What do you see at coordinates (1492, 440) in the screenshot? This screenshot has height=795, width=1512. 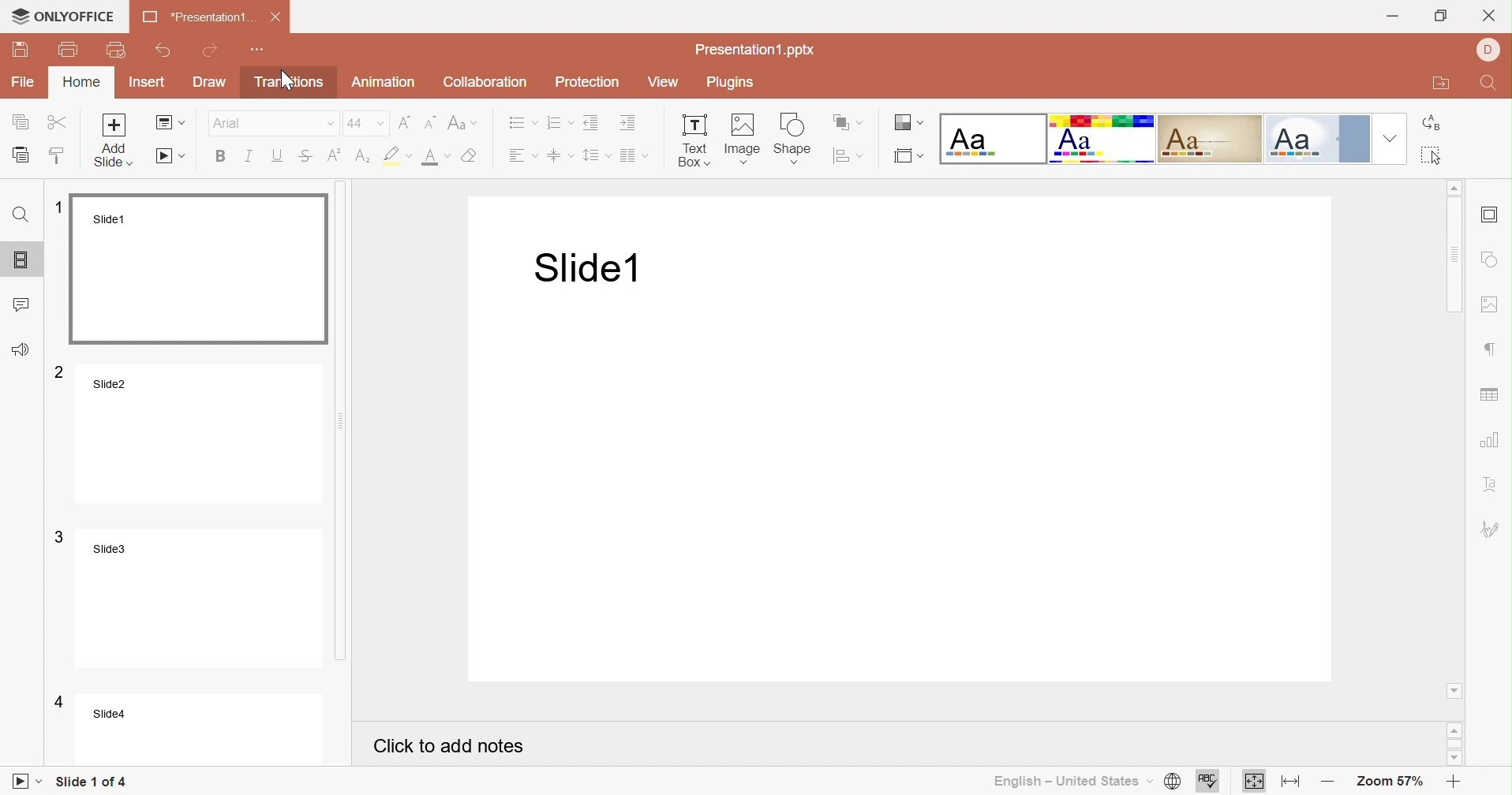 I see `Insert chart` at bounding box center [1492, 440].